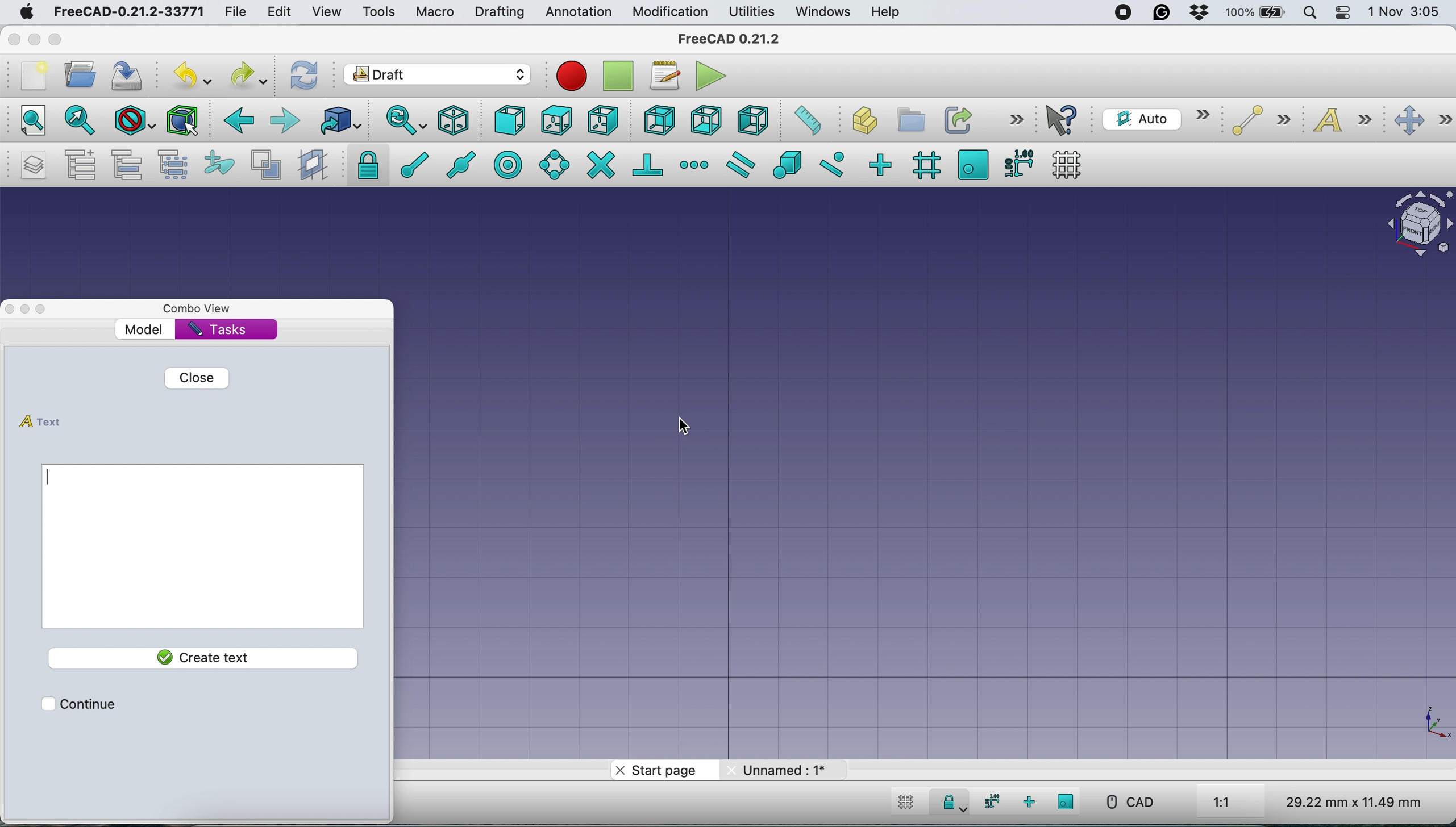  Describe the element at coordinates (126, 73) in the screenshot. I see `save` at that location.